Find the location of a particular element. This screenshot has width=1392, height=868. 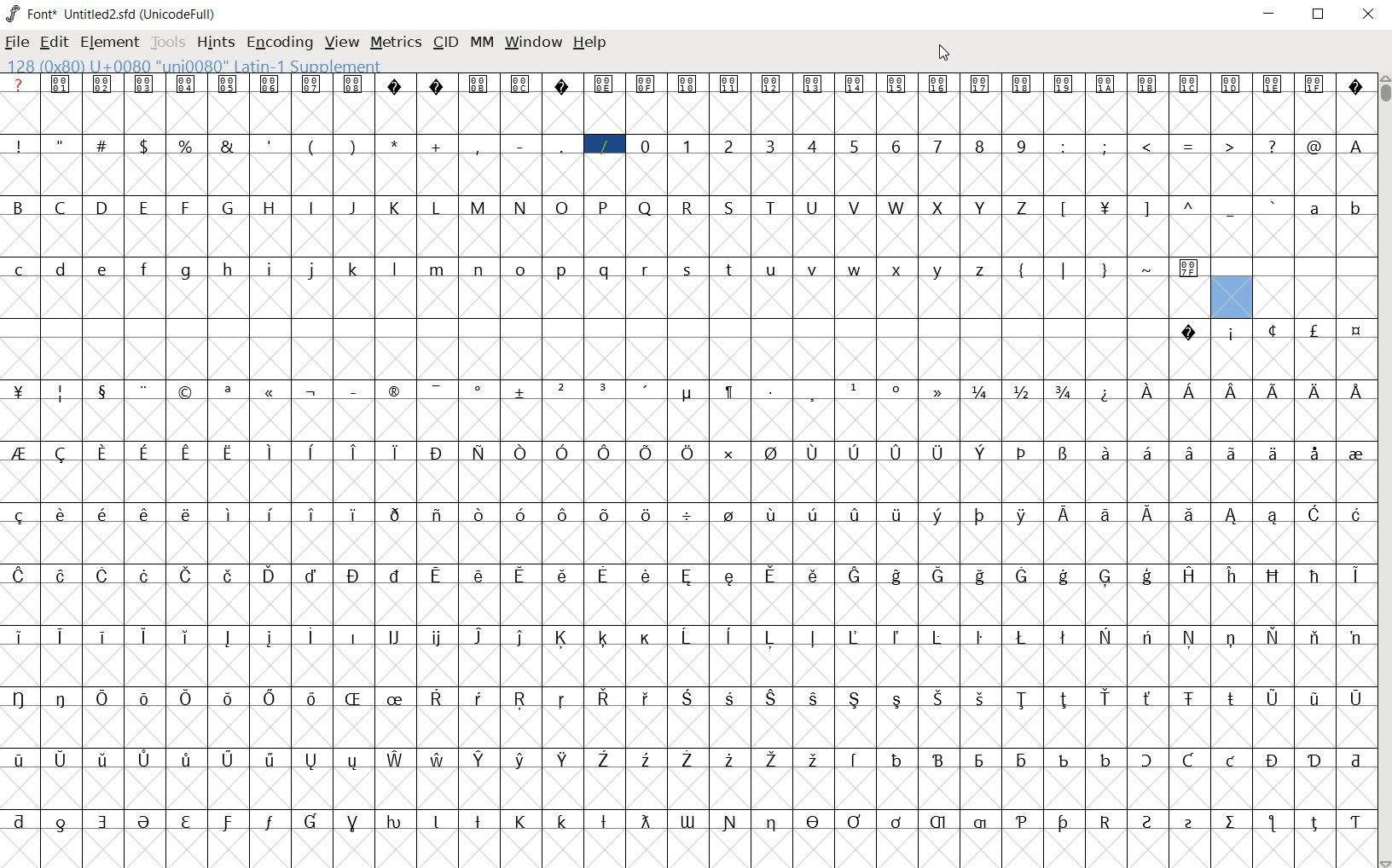

glyph is located at coordinates (981, 208).